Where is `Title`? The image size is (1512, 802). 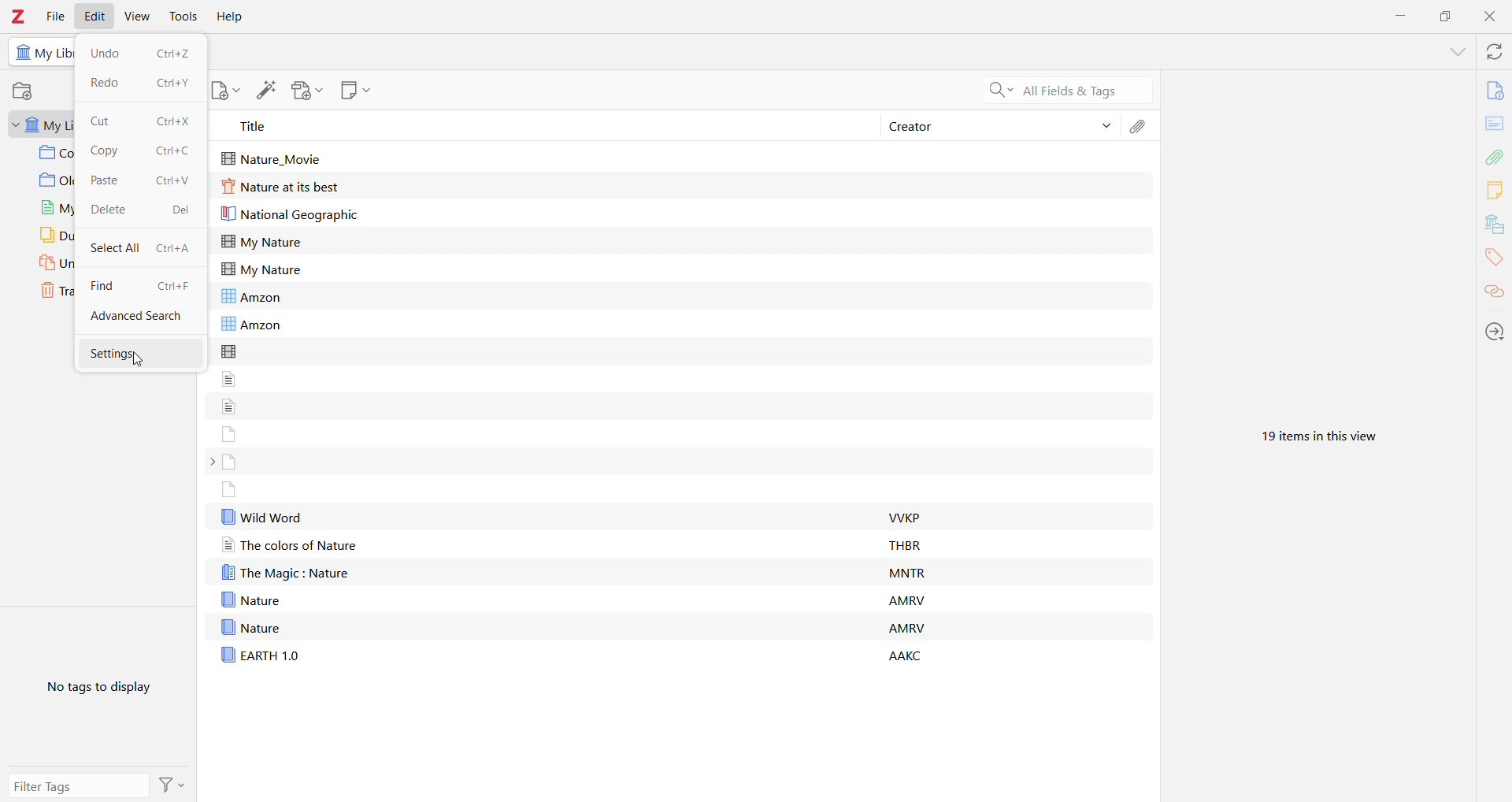
Title is located at coordinates (536, 126).